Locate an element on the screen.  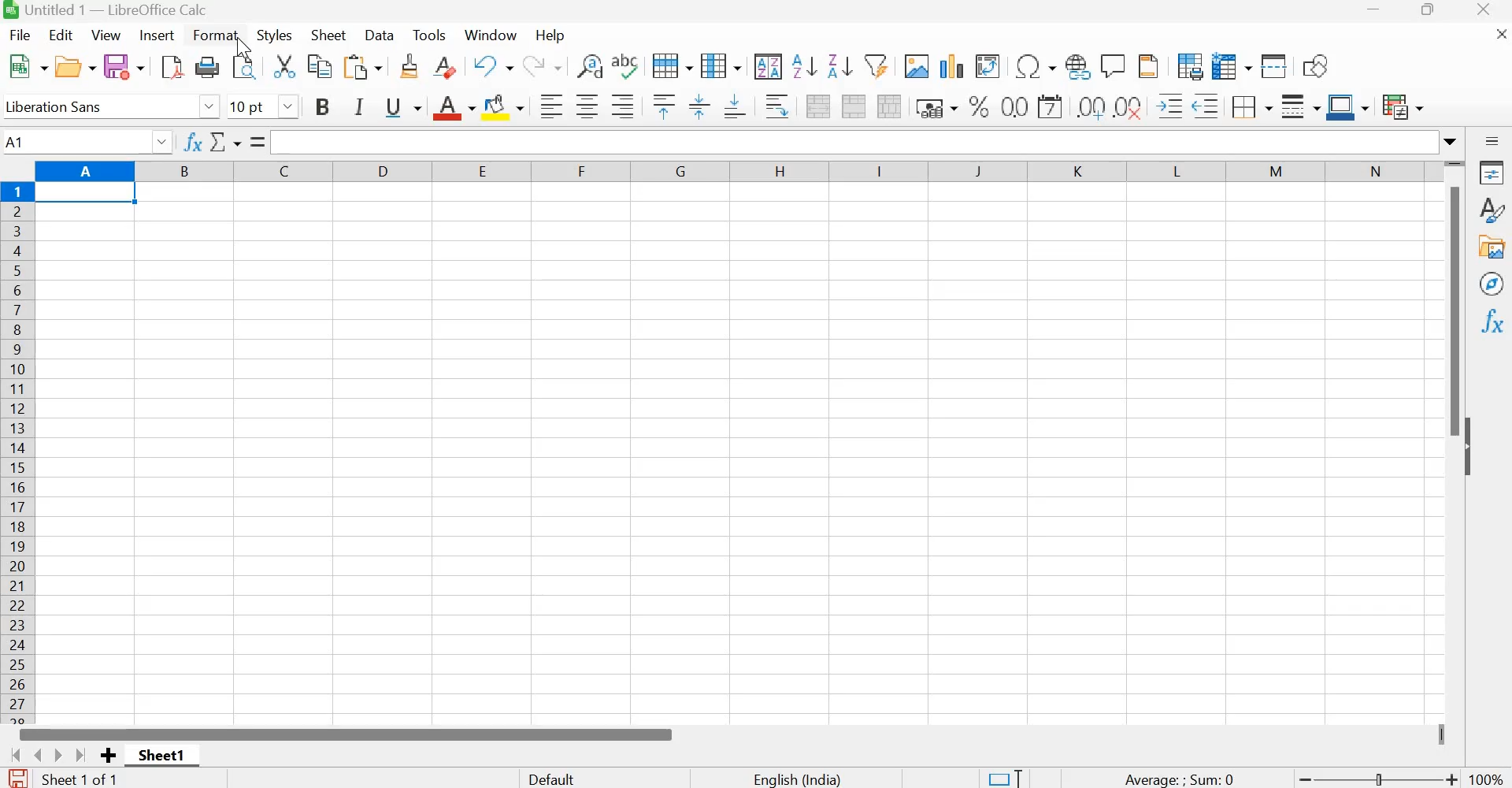
Add decimal point is located at coordinates (1086, 106).